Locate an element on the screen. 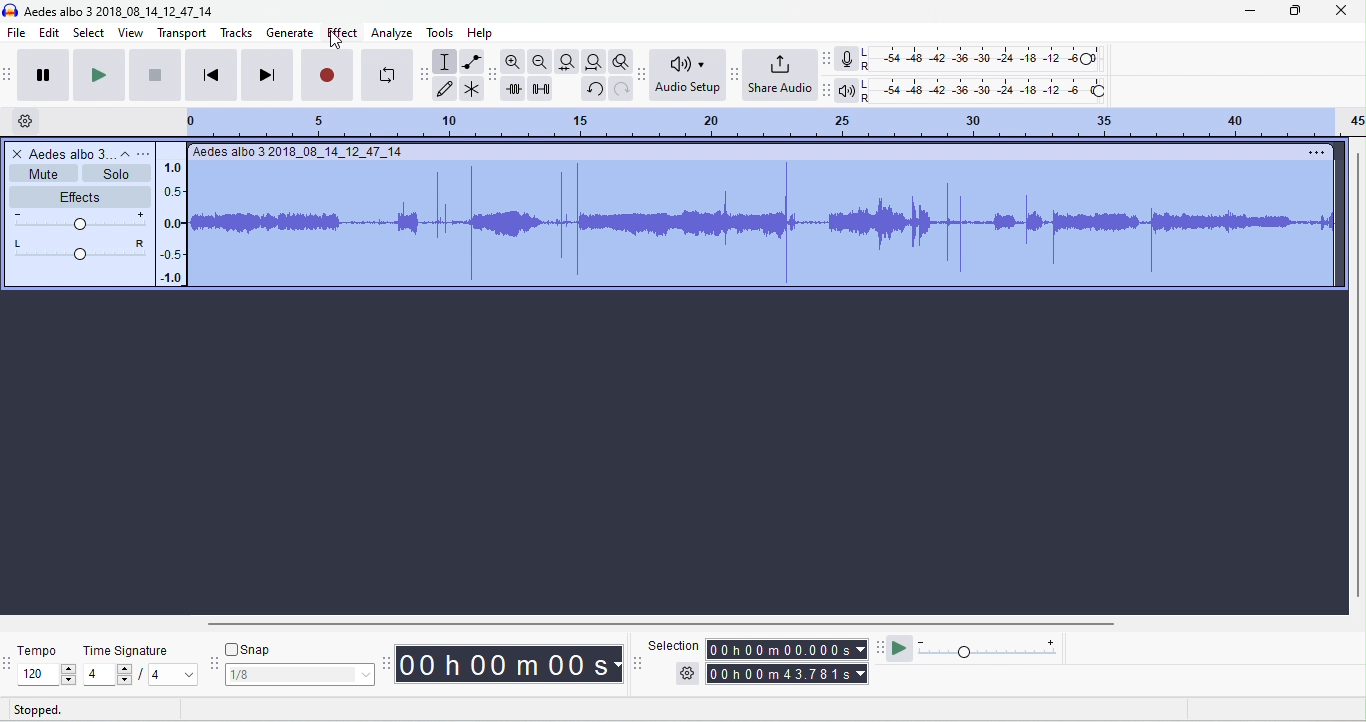  file is located at coordinates (16, 32).